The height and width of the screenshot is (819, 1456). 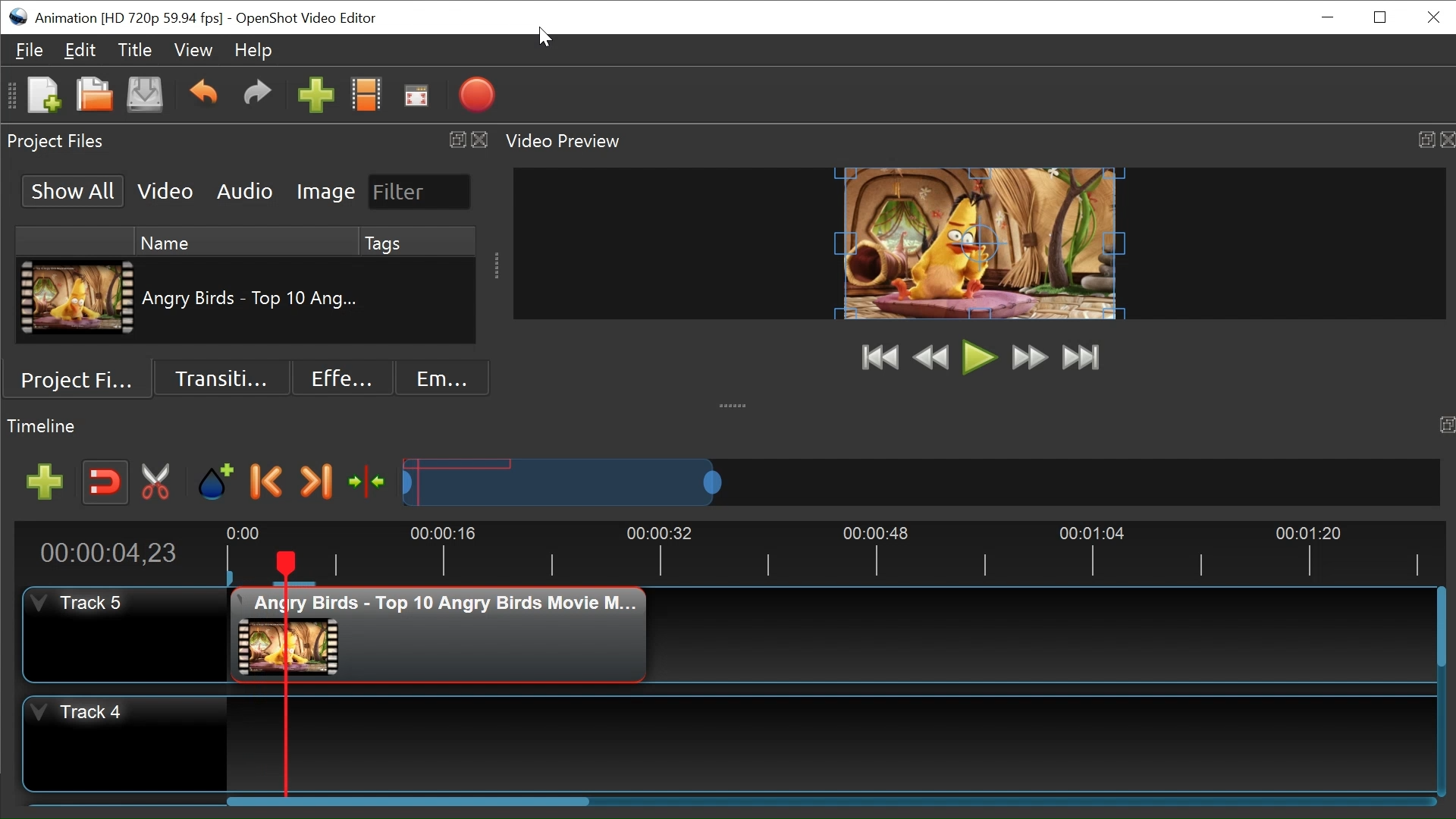 I want to click on Emoji, so click(x=443, y=378).